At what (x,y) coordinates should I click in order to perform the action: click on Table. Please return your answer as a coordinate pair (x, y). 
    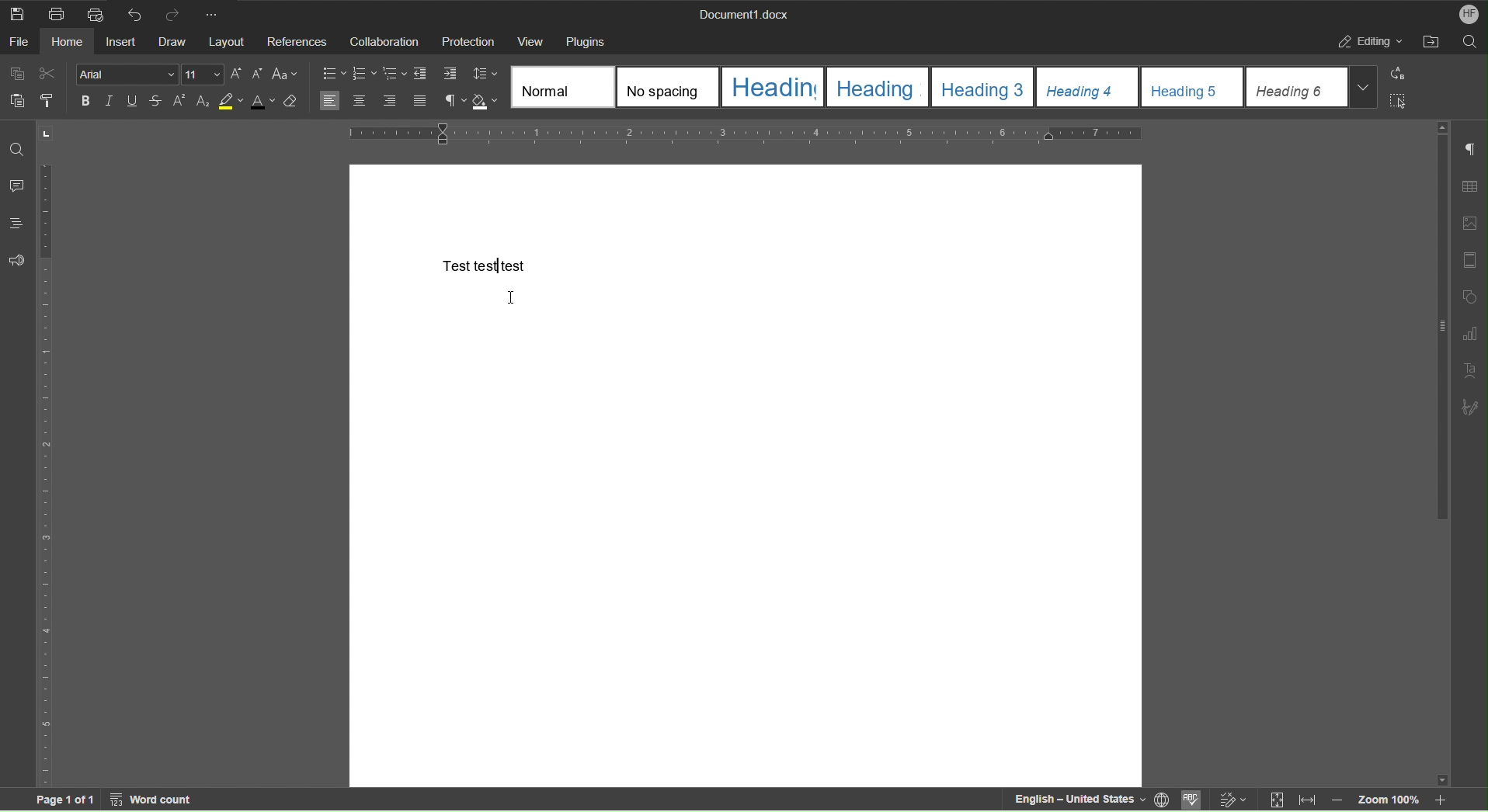
    Looking at the image, I should click on (1469, 188).